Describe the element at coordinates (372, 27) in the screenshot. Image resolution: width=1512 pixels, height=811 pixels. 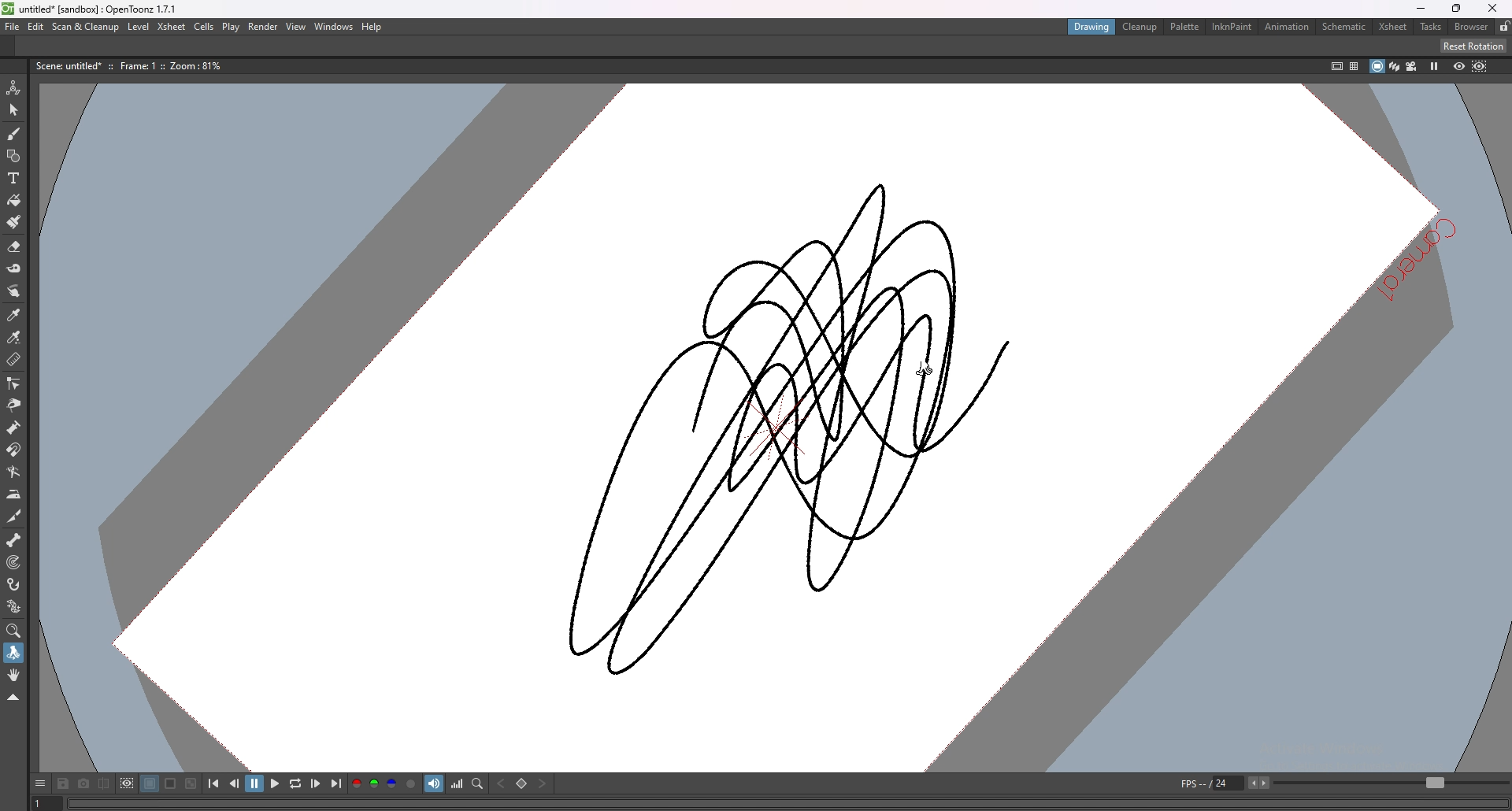
I see `help` at that location.